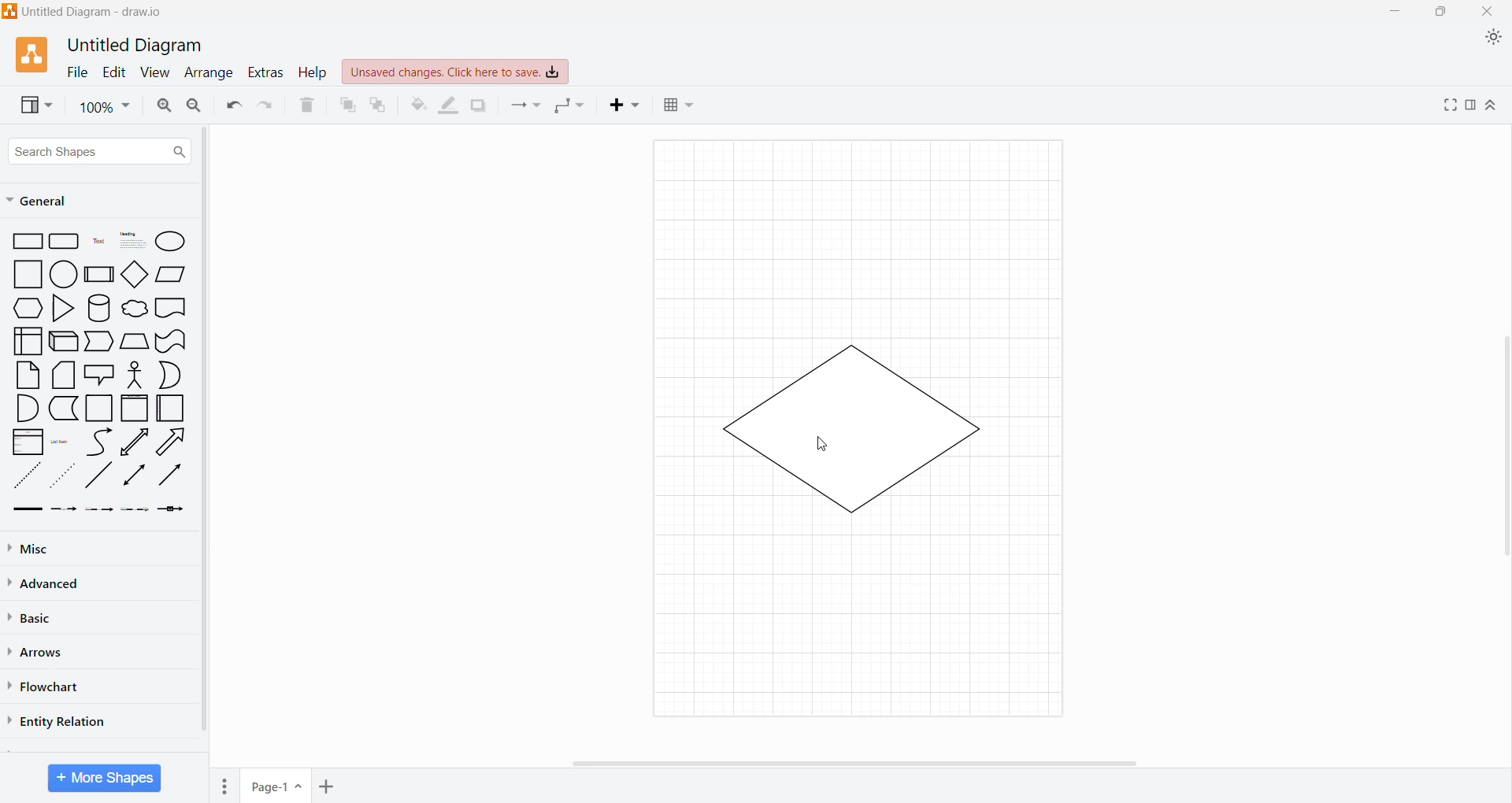 The height and width of the screenshot is (803, 1512). Describe the element at coordinates (328, 785) in the screenshot. I see `Insert Page` at that location.